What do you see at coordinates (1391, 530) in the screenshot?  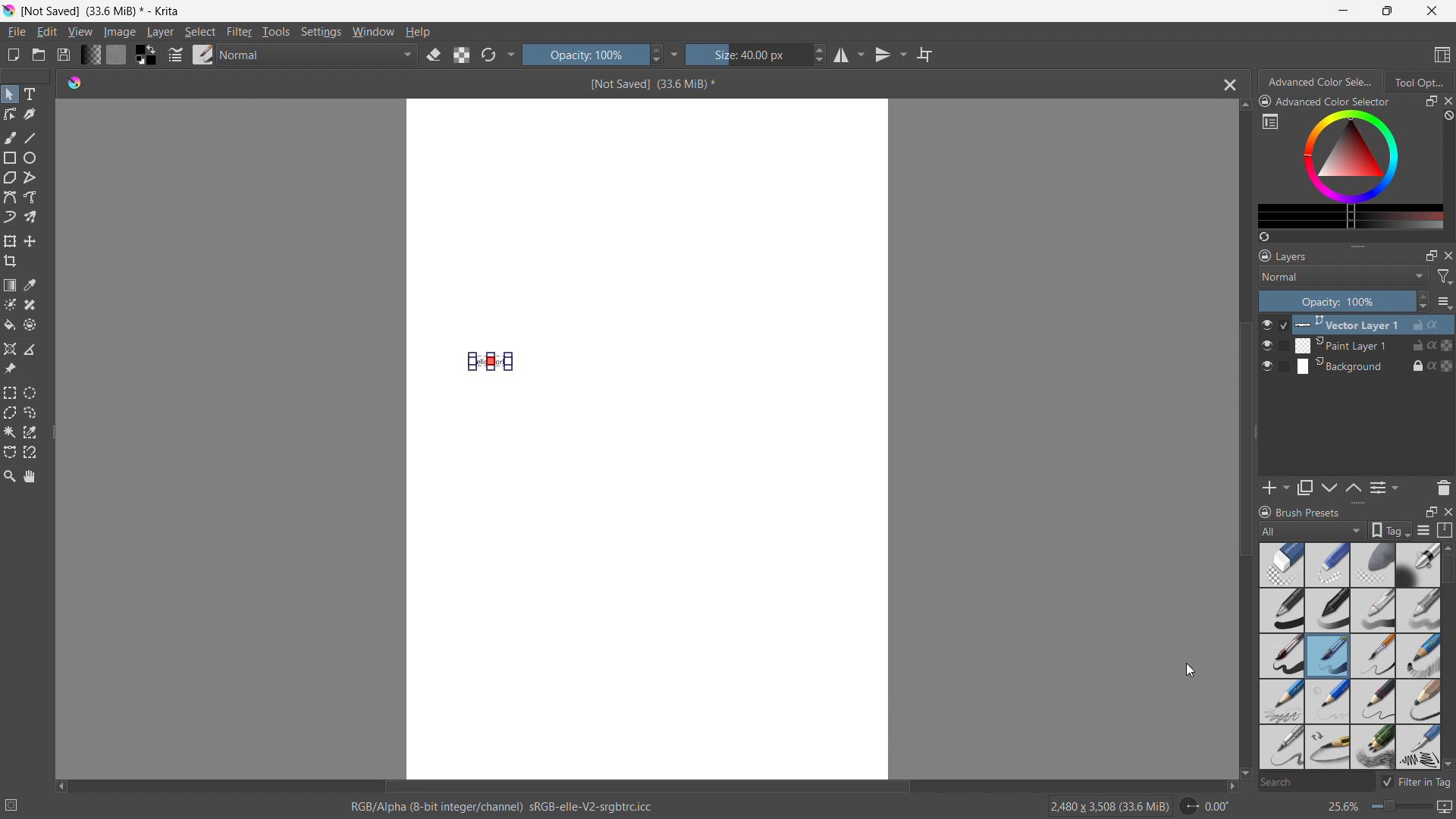 I see `tags` at bounding box center [1391, 530].